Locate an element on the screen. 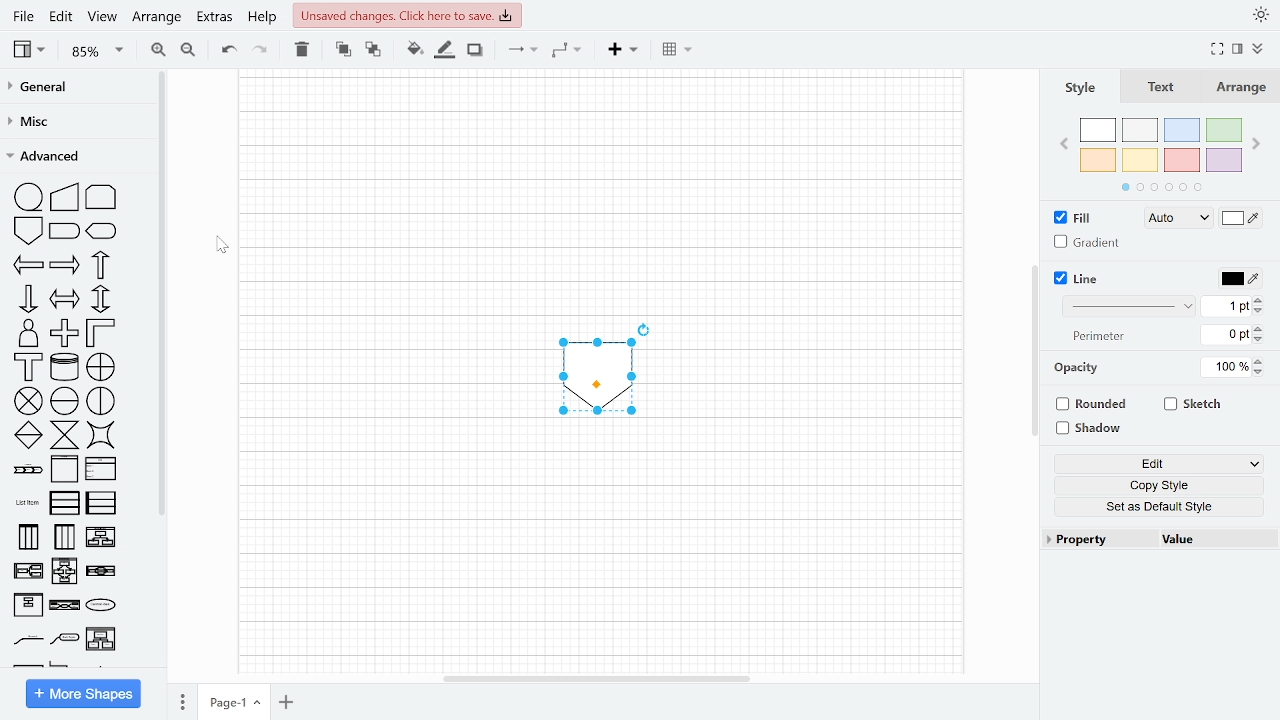 The height and width of the screenshot is (720, 1280). blue is located at coordinates (1183, 131).